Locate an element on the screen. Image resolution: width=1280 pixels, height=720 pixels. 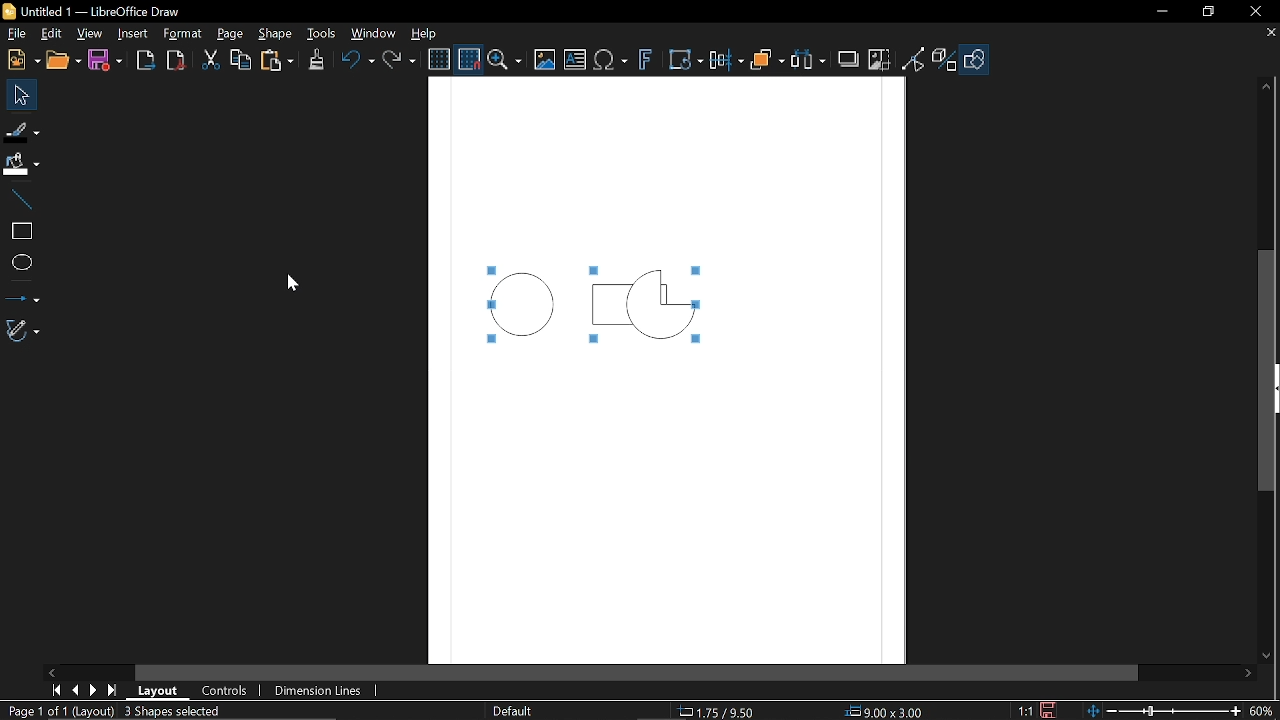
Cursor is located at coordinates (293, 280).